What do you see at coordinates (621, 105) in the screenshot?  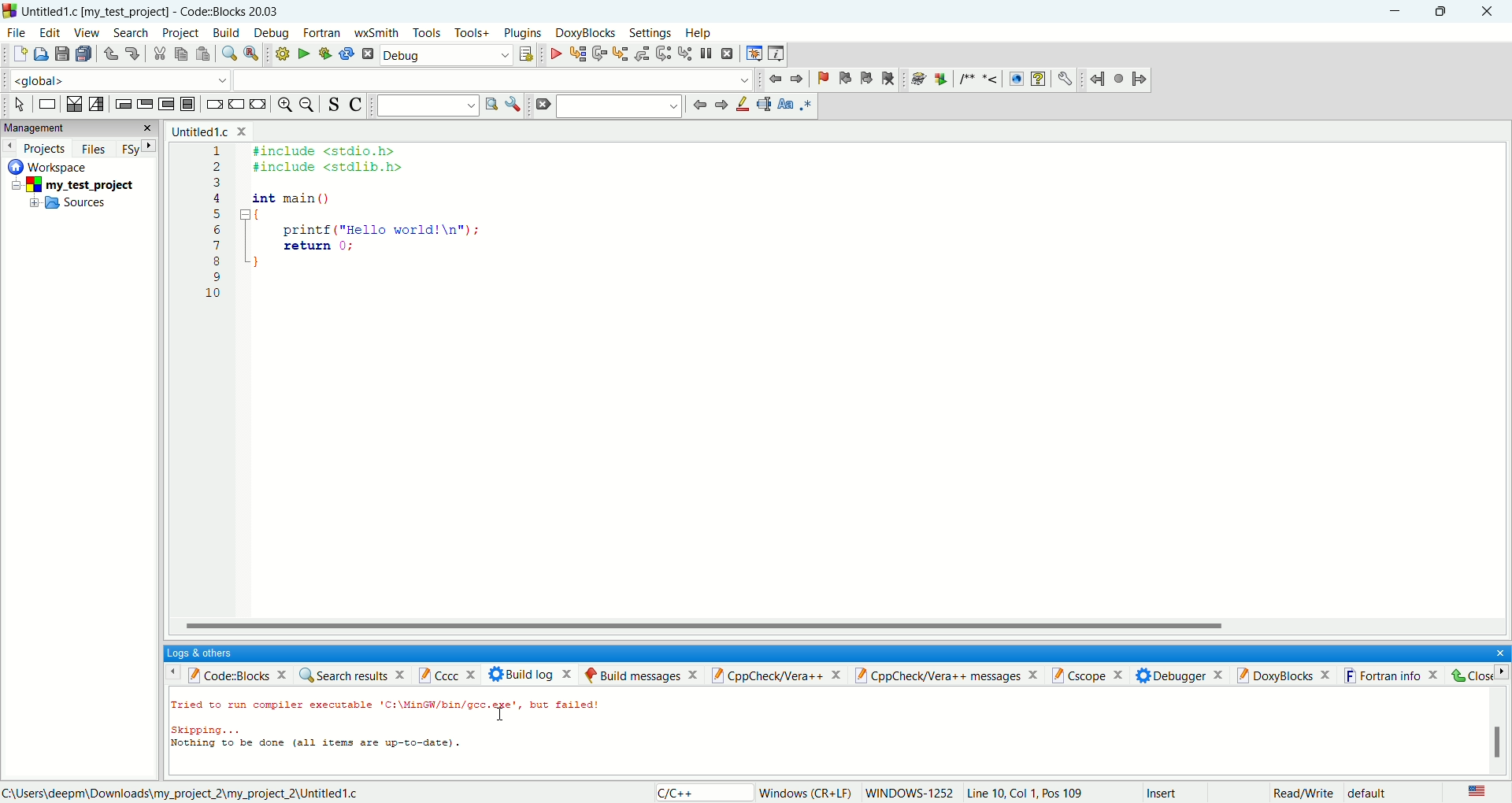 I see `blank space` at bounding box center [621, 105].